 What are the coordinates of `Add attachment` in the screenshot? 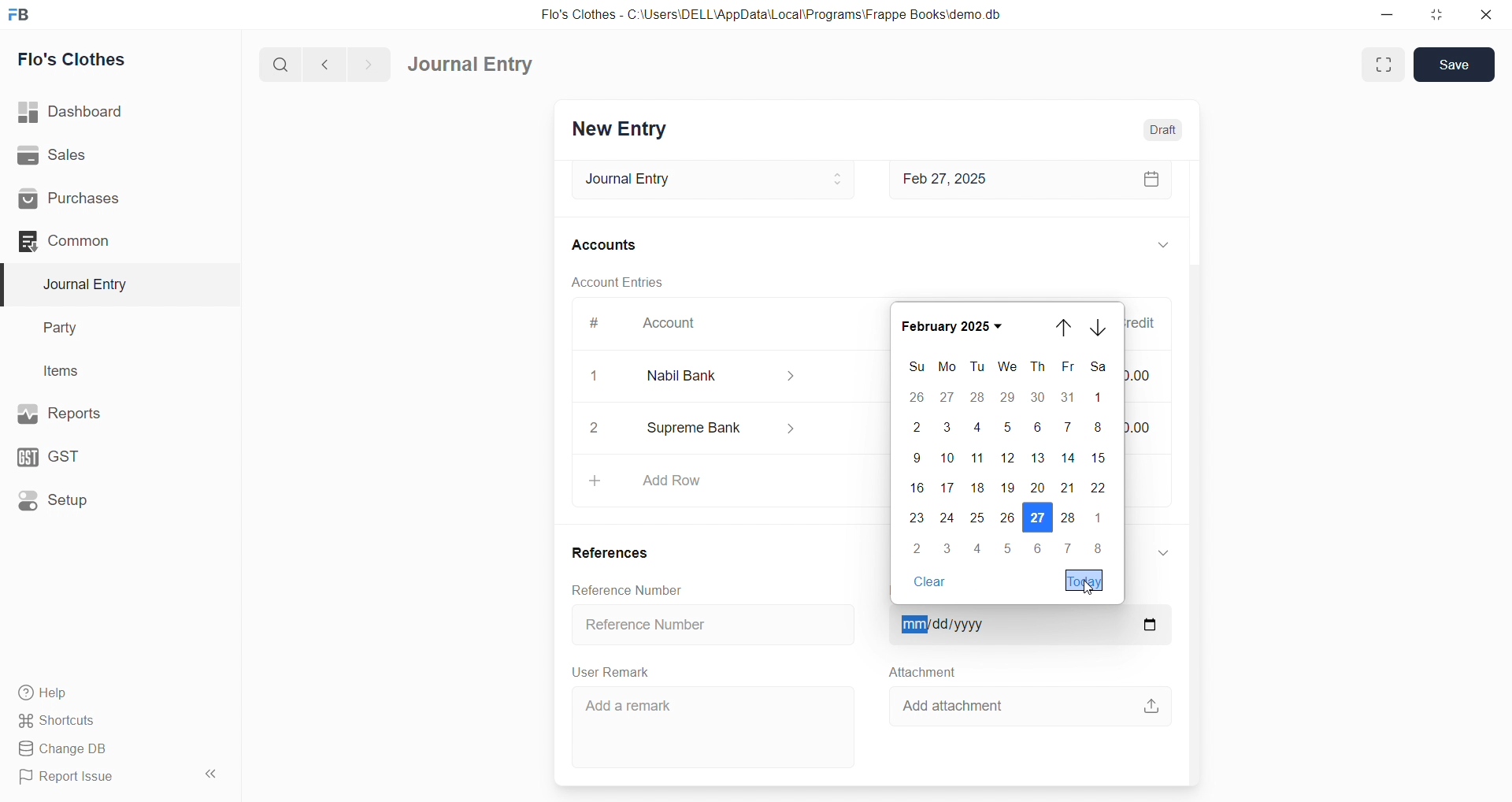 It's located at (1028, 704).